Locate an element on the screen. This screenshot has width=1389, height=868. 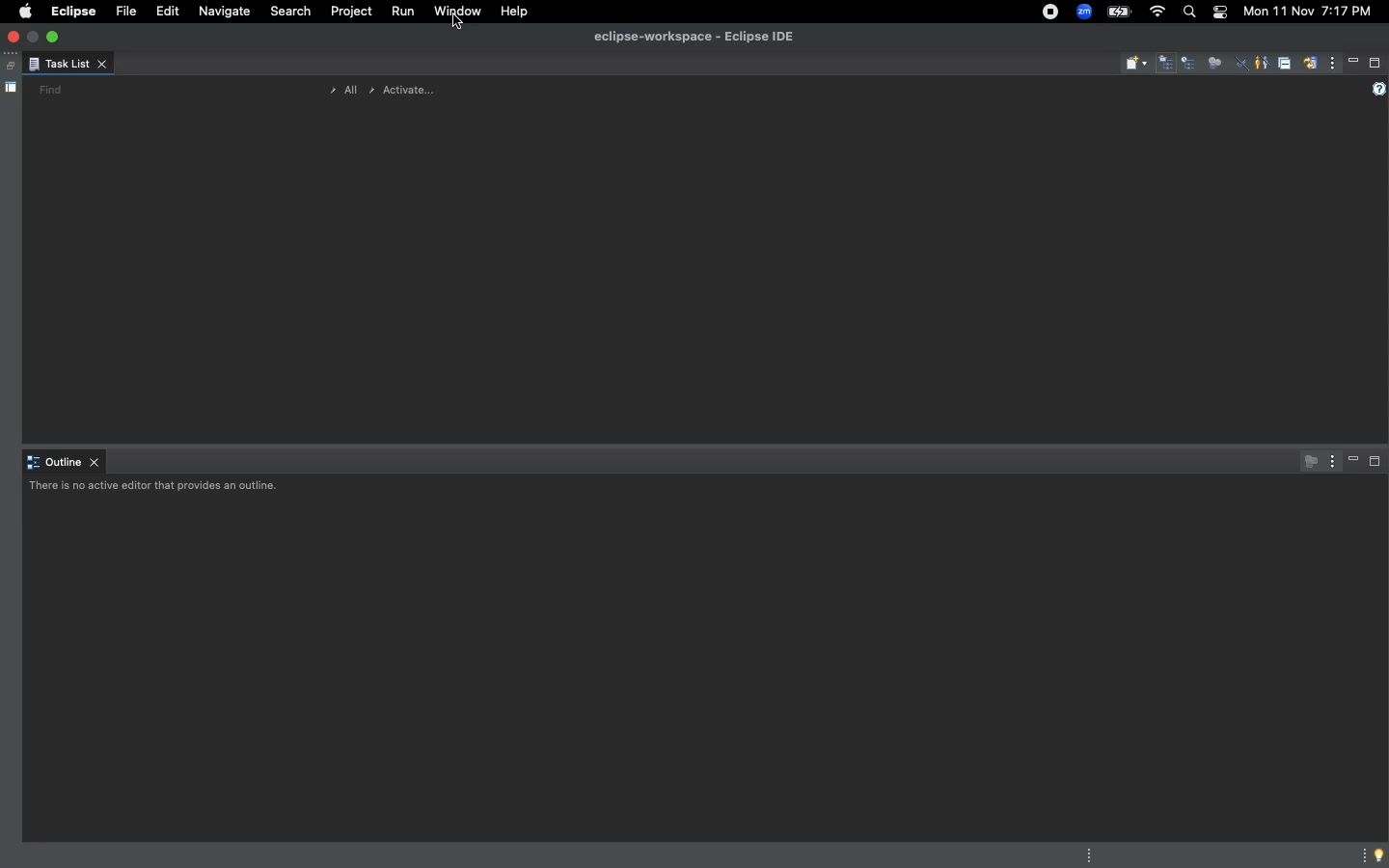
maximize is located at coordinates (55, 36).